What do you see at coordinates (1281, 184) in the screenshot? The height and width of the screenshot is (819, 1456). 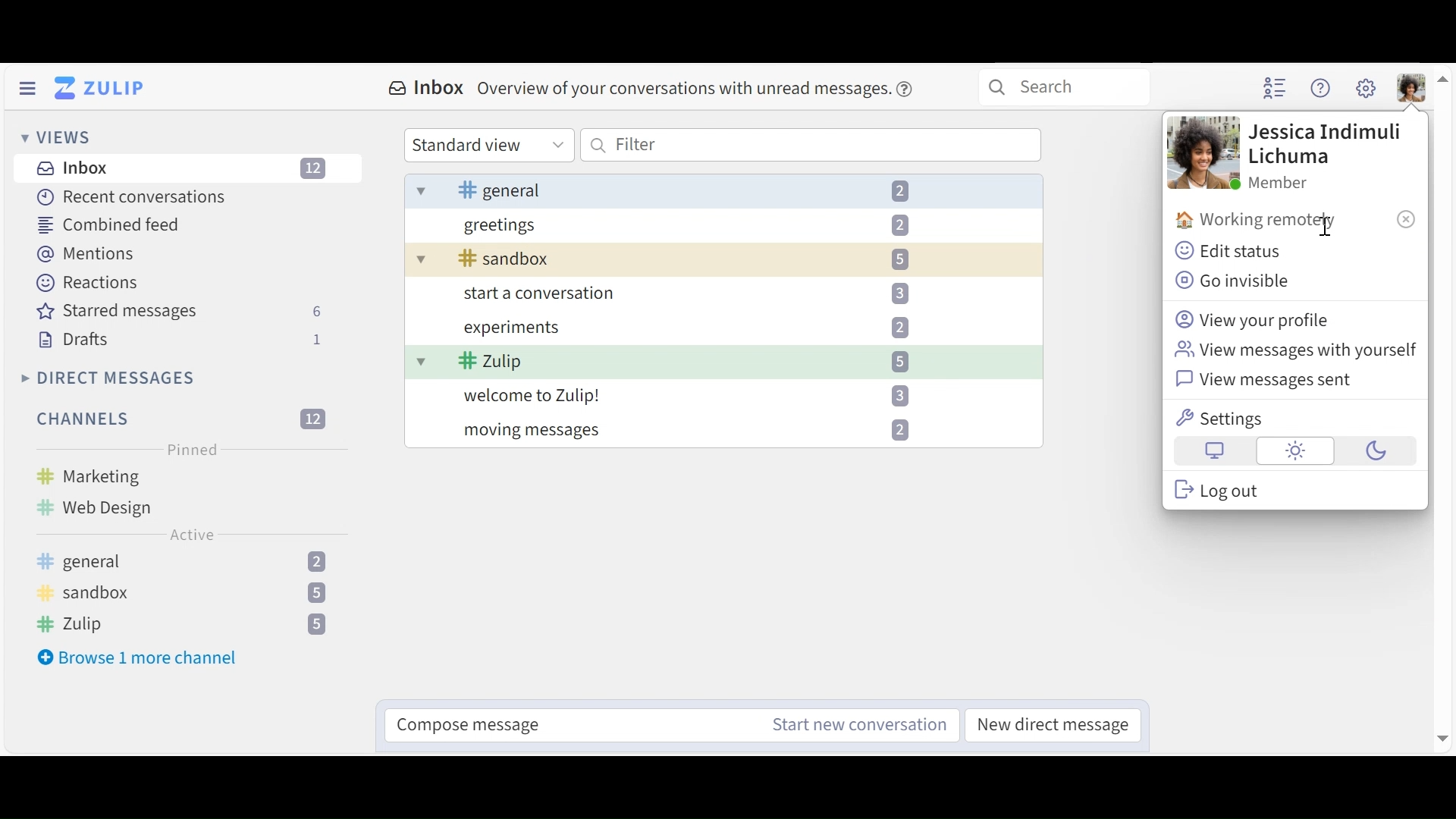 I see `Role` at bounding box center [1281, 184].